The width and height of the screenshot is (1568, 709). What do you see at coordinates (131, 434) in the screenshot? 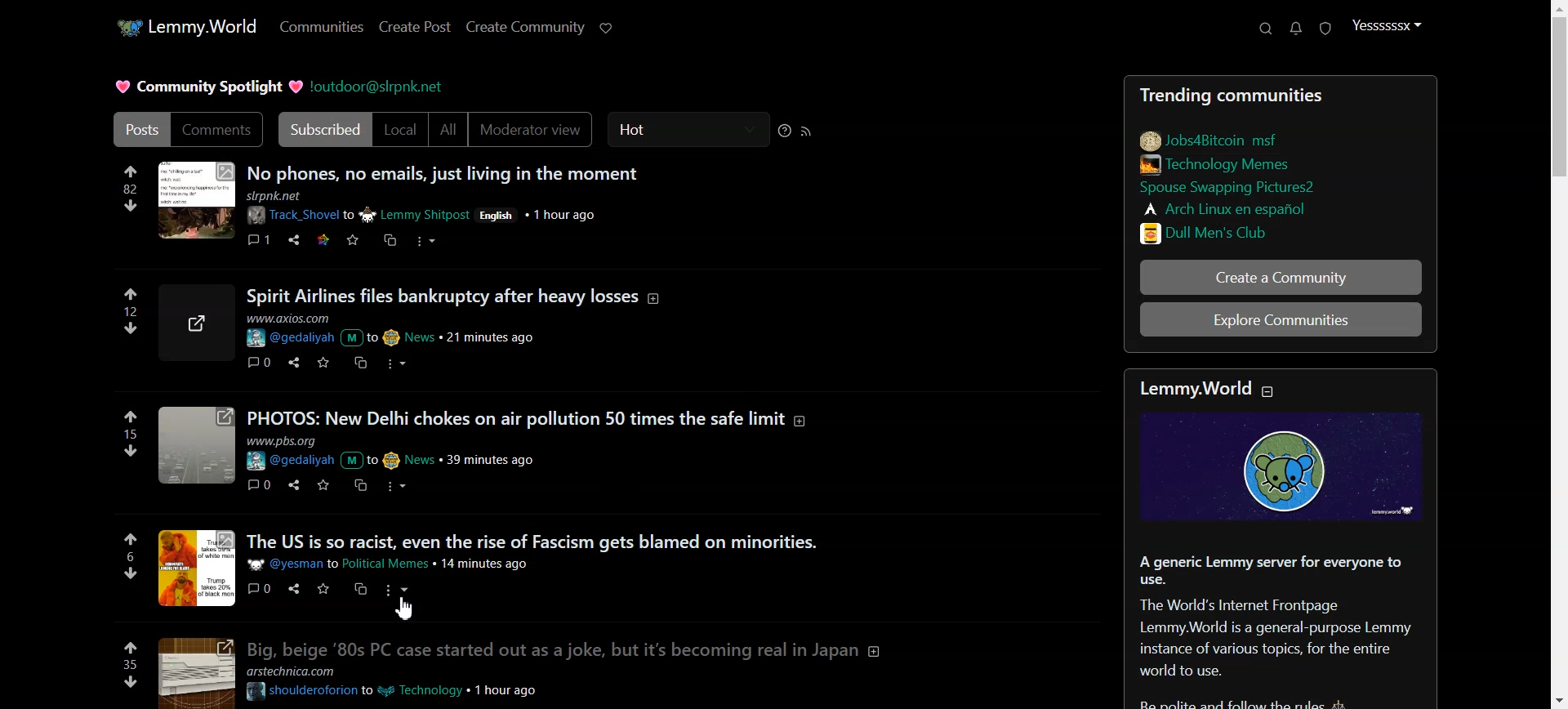
I see `numbers` at bounding box center [131, 434].